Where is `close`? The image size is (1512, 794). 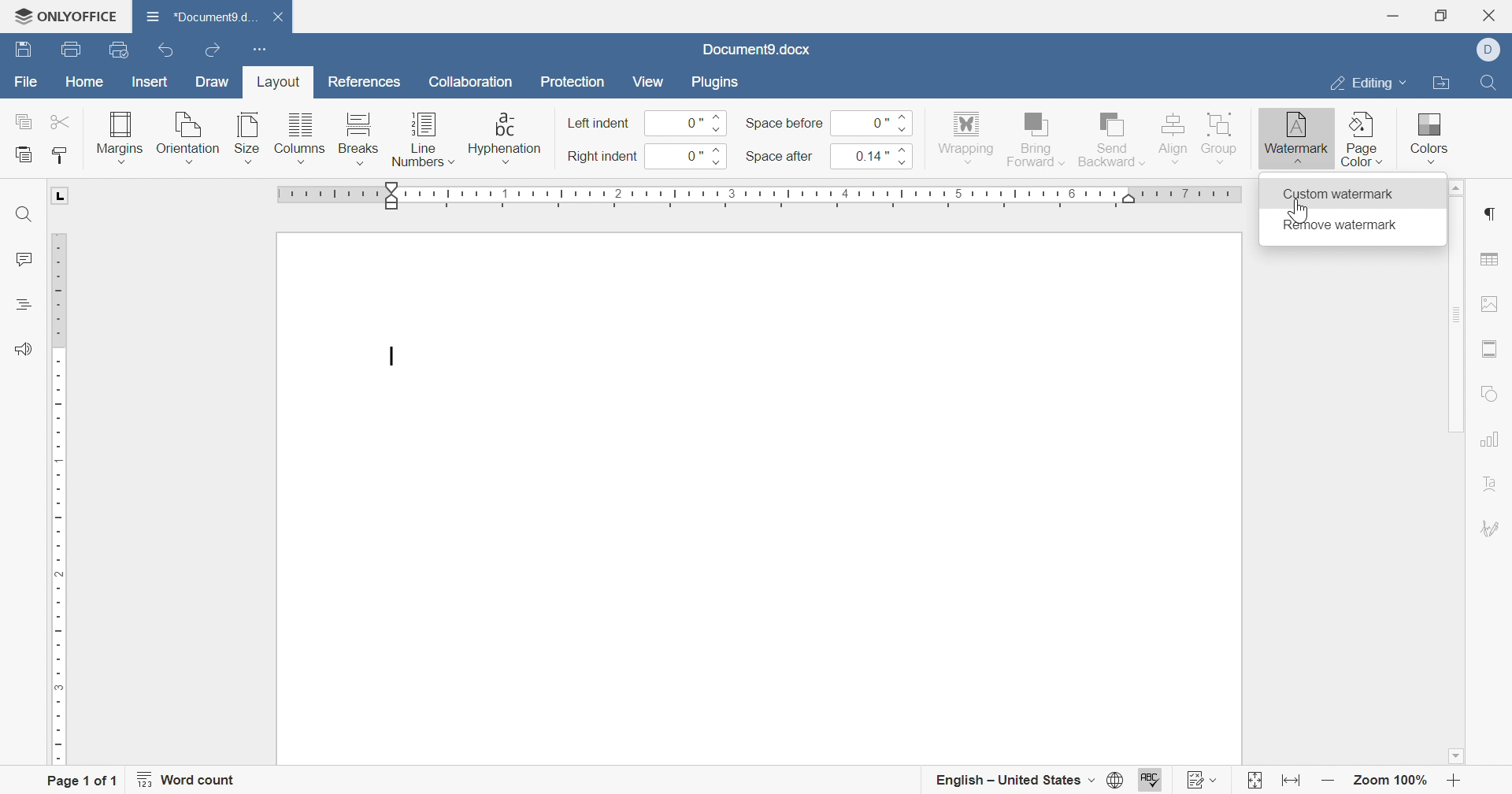
close is located at coordinates (1494, 15).